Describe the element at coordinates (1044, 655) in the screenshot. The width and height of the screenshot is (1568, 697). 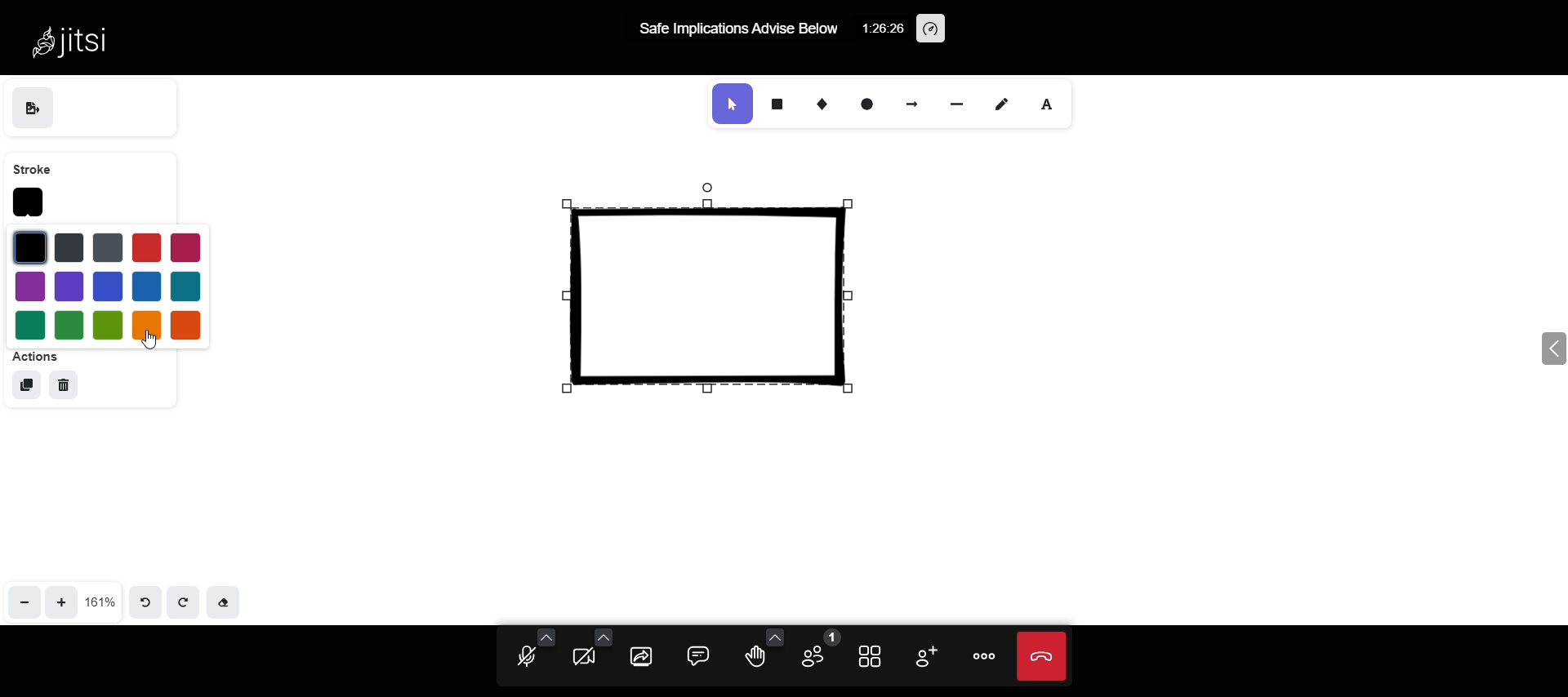
I see `end call` at that location.